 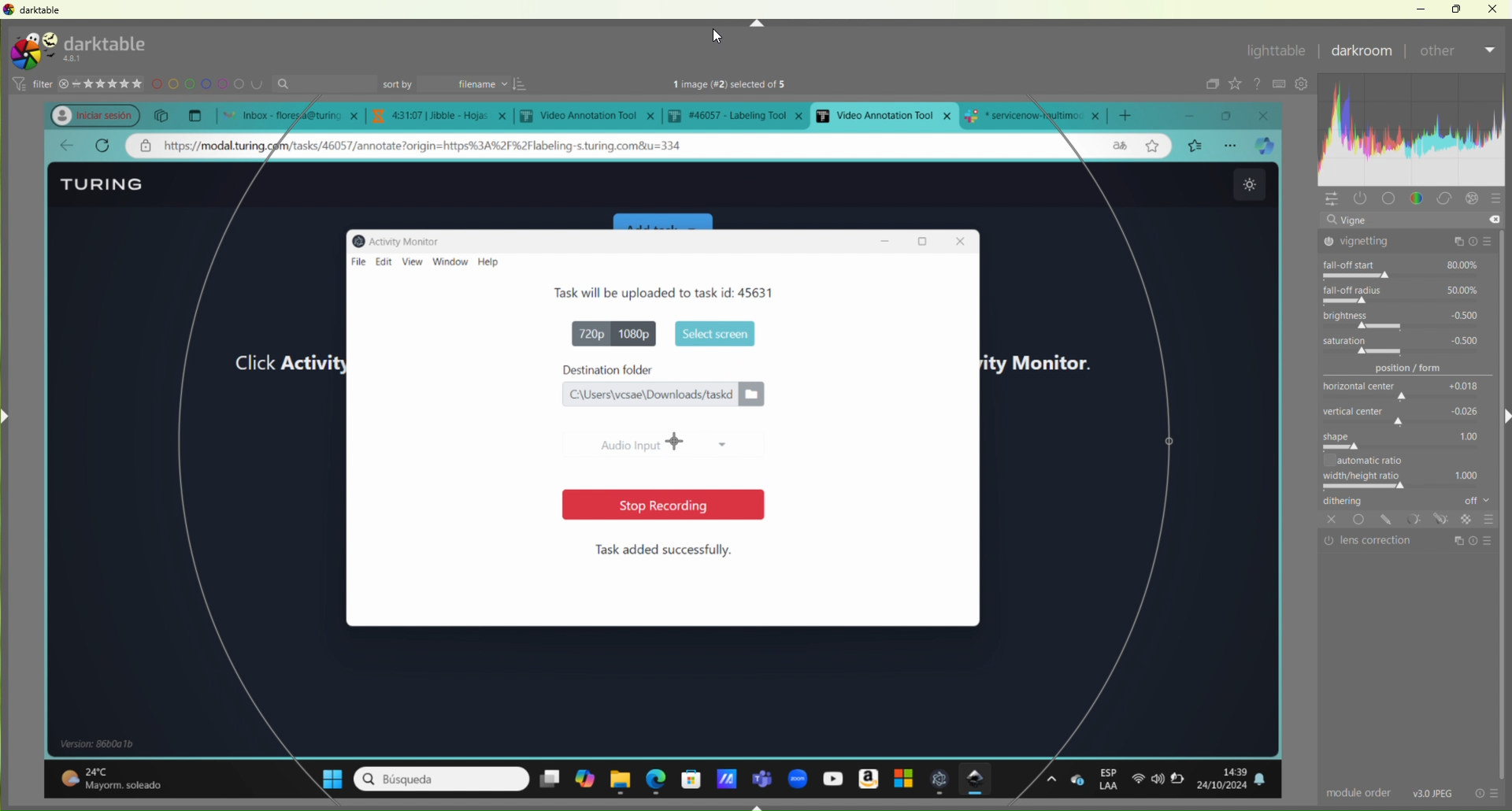 I want to click on temperature details, so click(x=120, y=774).